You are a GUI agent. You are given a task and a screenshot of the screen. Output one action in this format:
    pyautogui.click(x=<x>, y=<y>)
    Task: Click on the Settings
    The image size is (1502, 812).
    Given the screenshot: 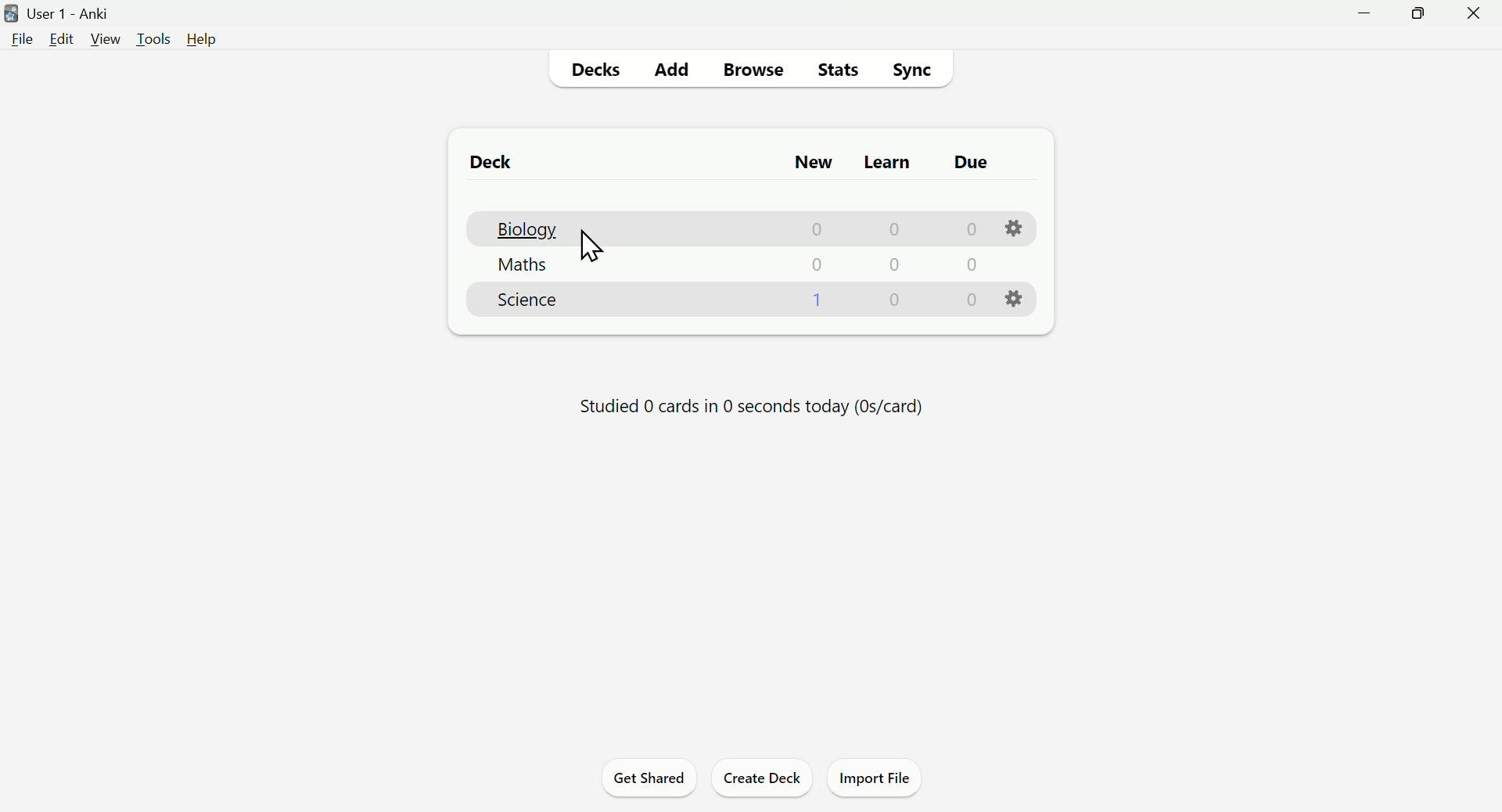 What is the action you would take?
    pyautogui.click(x=1013, y=228)
    